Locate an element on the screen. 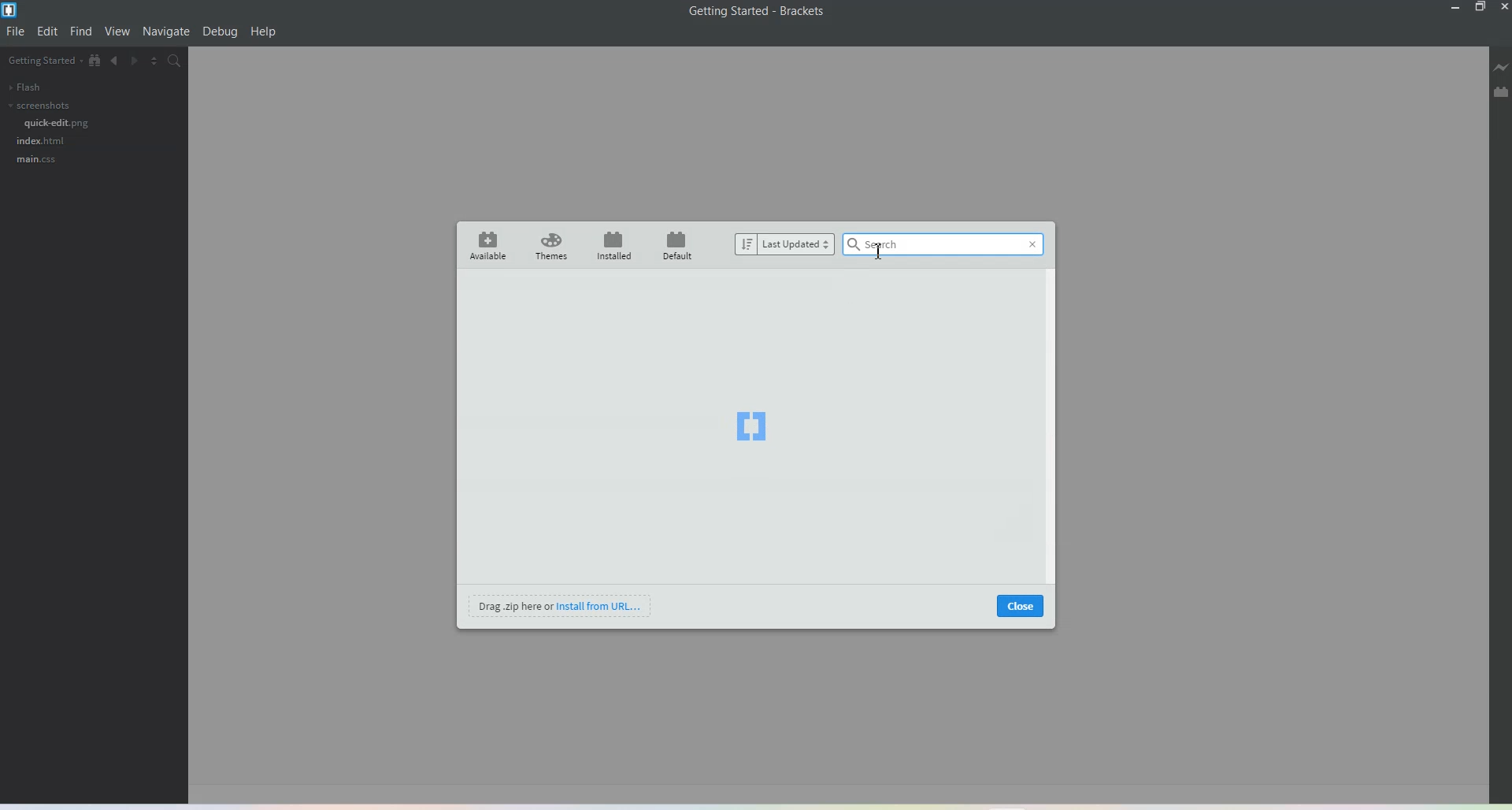  Install from URL is located at coordinates (561, 605).